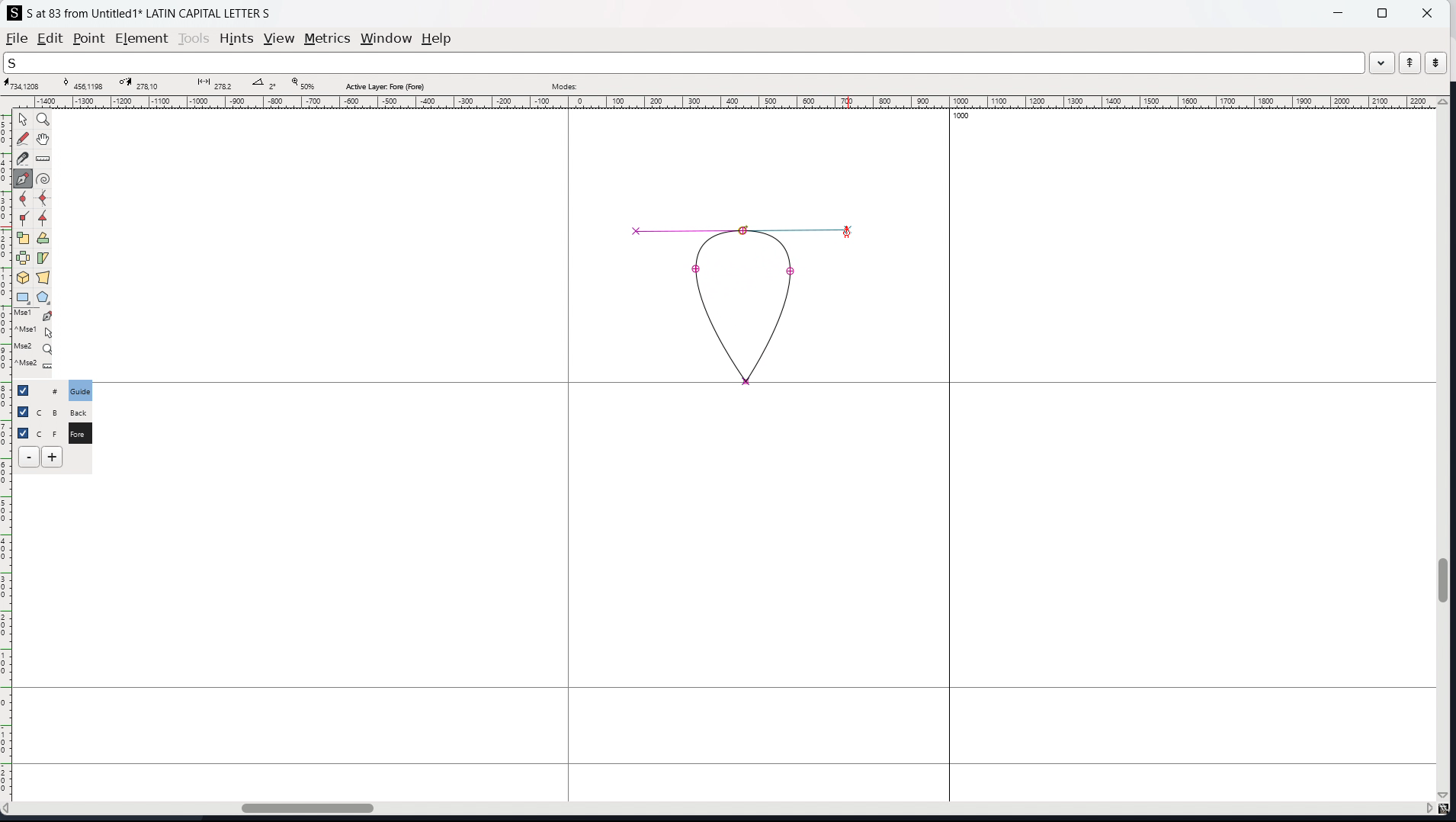 The height and width of the screenshot is (822, 1456). What do you see at coordinates (29, 458) in the screenshot?
I see `delete layer` at bounding box center [29, 458].